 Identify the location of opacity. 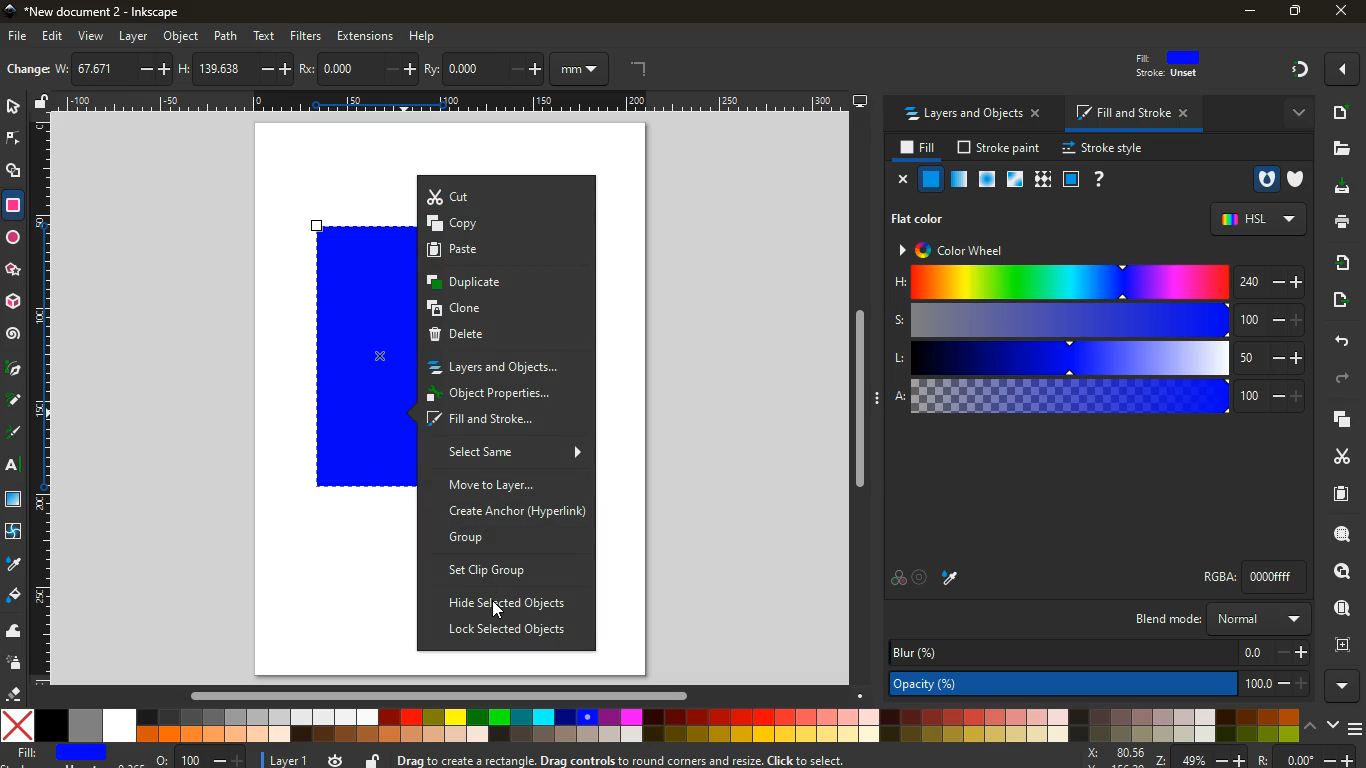
(959, 178).